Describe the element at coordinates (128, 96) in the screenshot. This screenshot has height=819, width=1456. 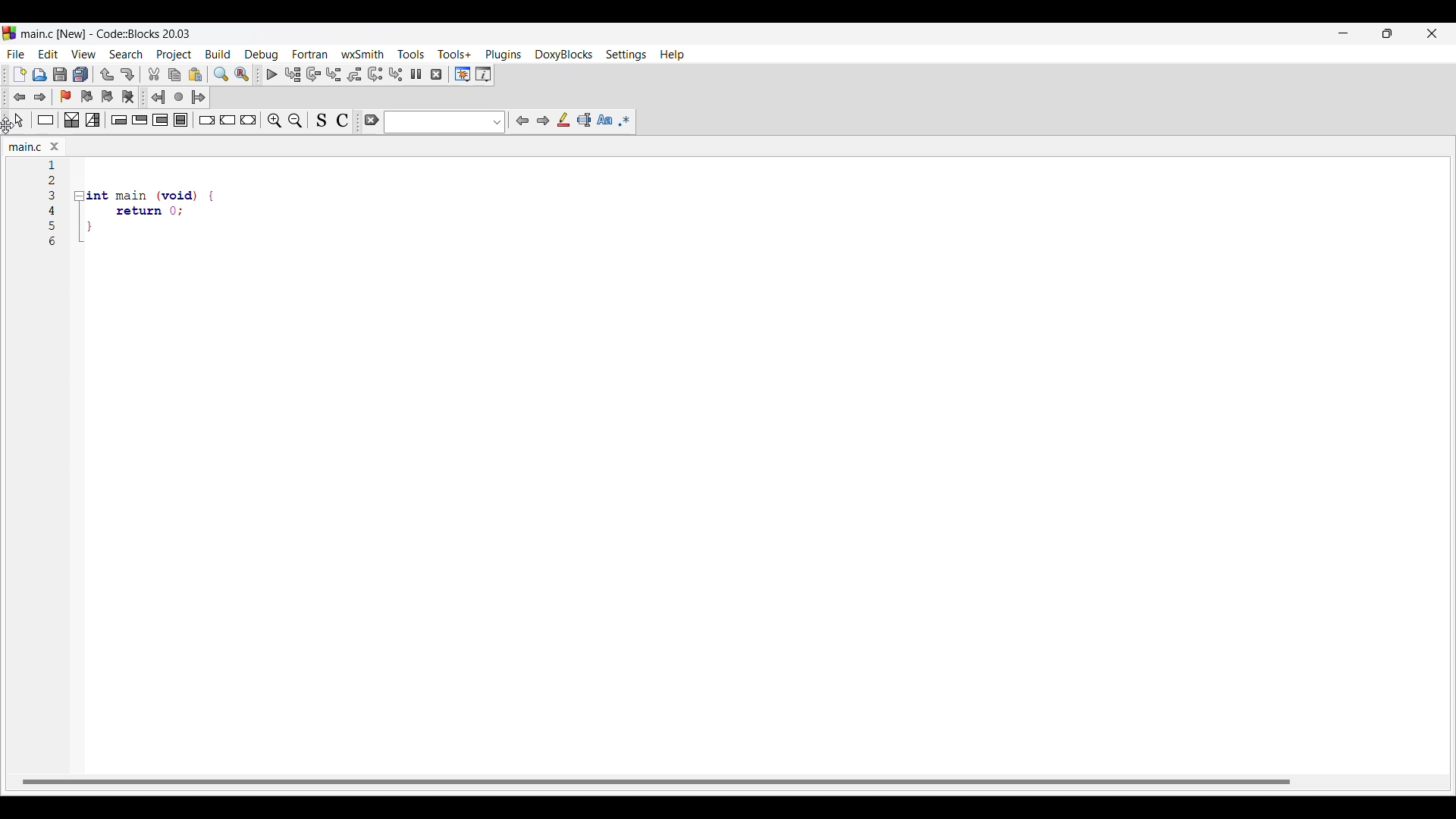
I see `Clear bookmarks` at that location.